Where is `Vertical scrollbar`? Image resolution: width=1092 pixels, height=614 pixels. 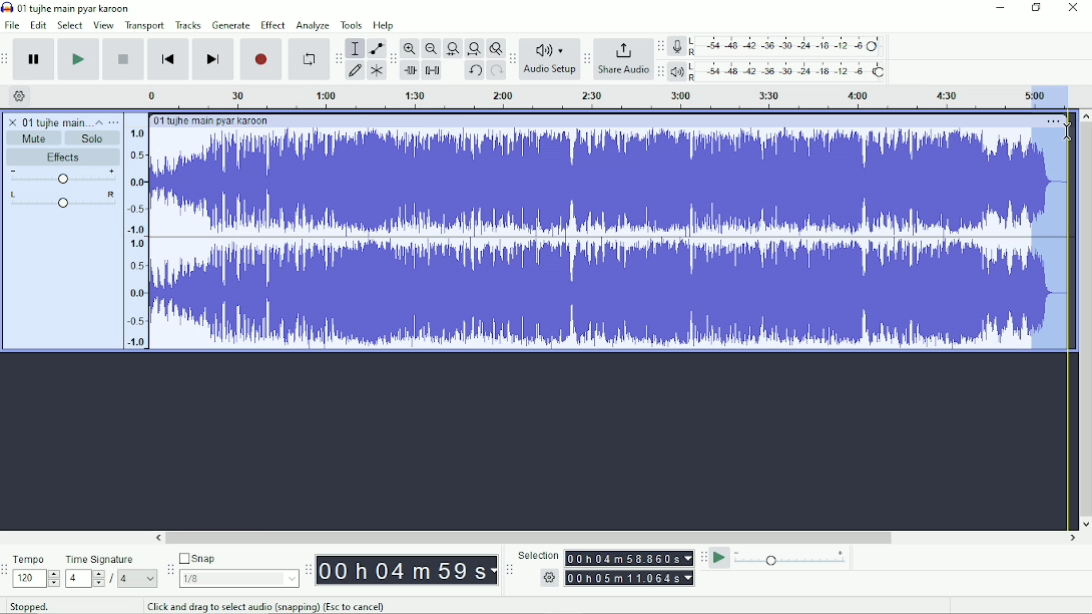 Vertical scrollbar is located at coordinates (1085, 320).